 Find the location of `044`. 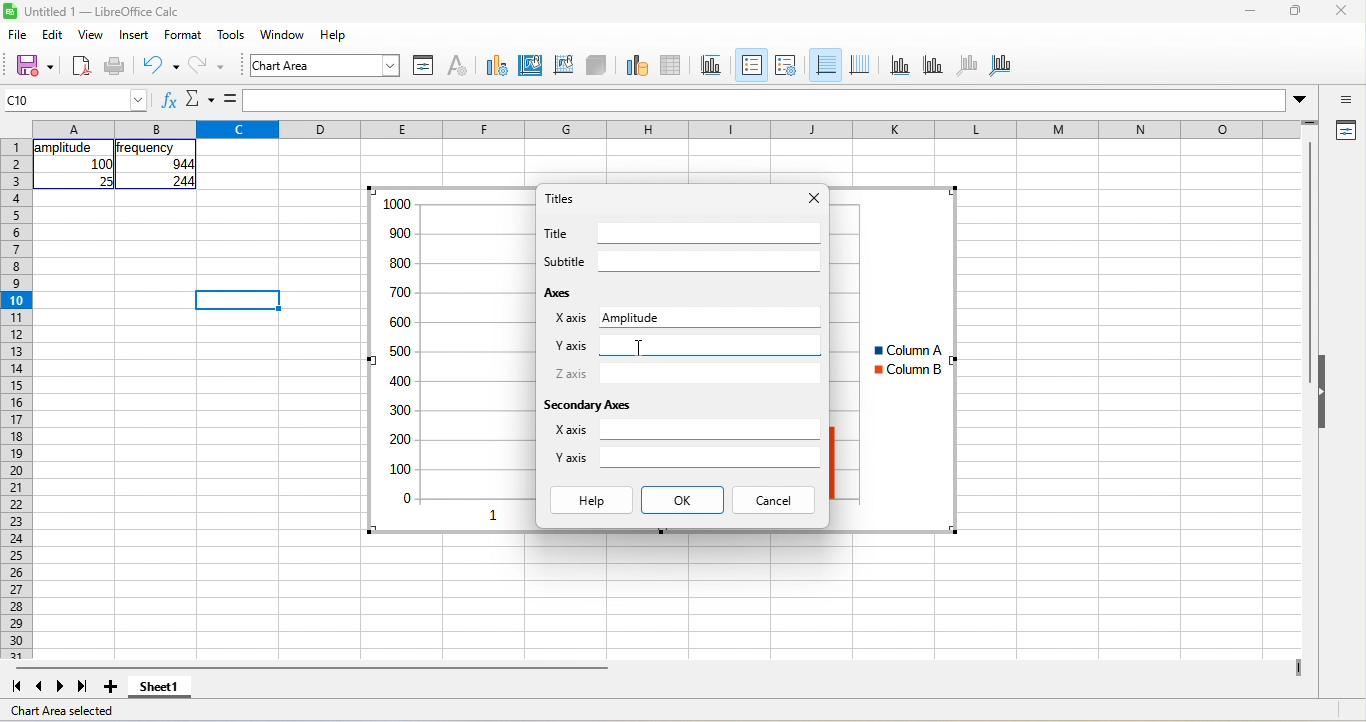

044 is located at coordinates (183, 164).